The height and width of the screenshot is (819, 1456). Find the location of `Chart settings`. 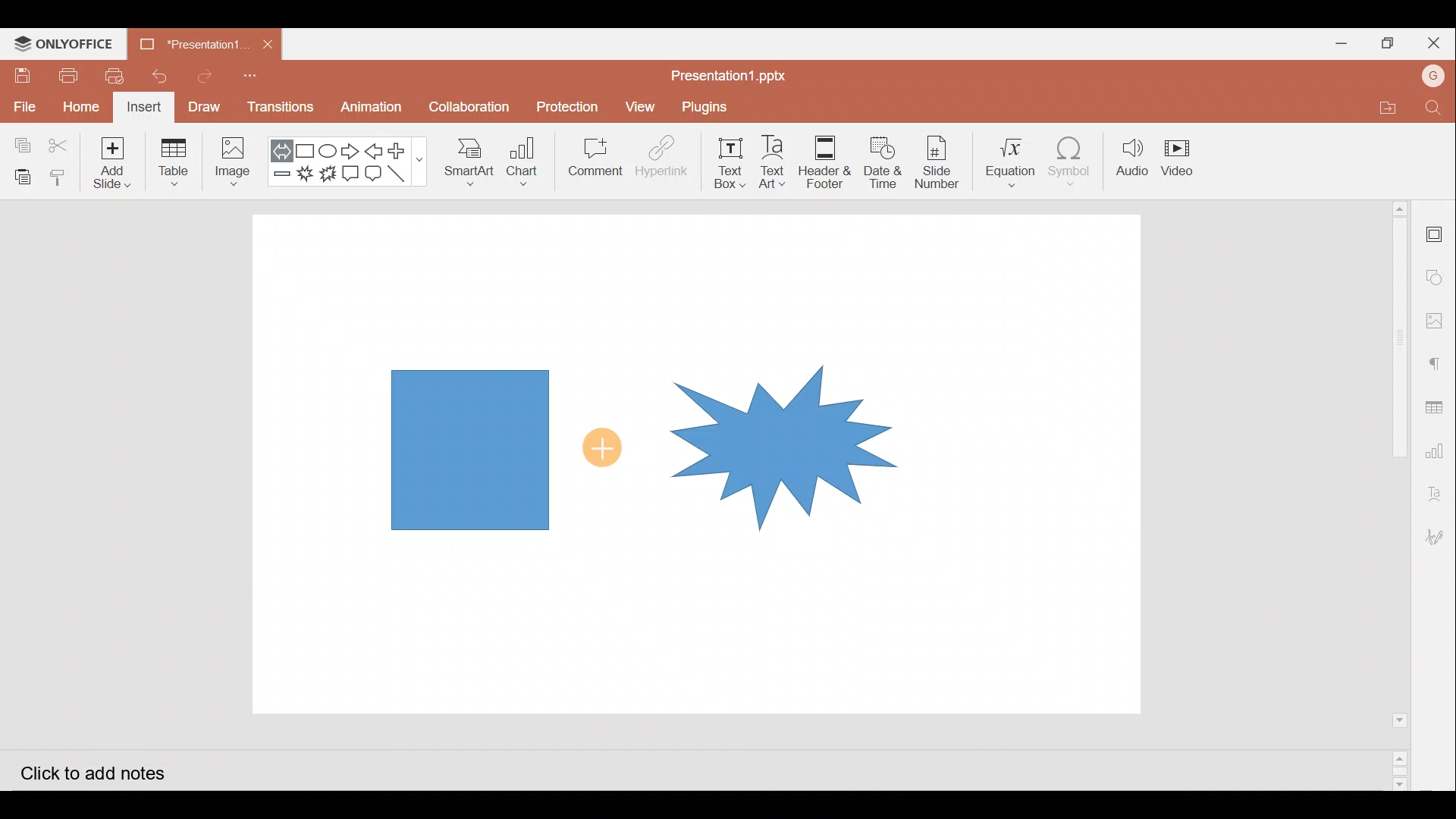

Chart settings is located at coordinates (1439, 449).